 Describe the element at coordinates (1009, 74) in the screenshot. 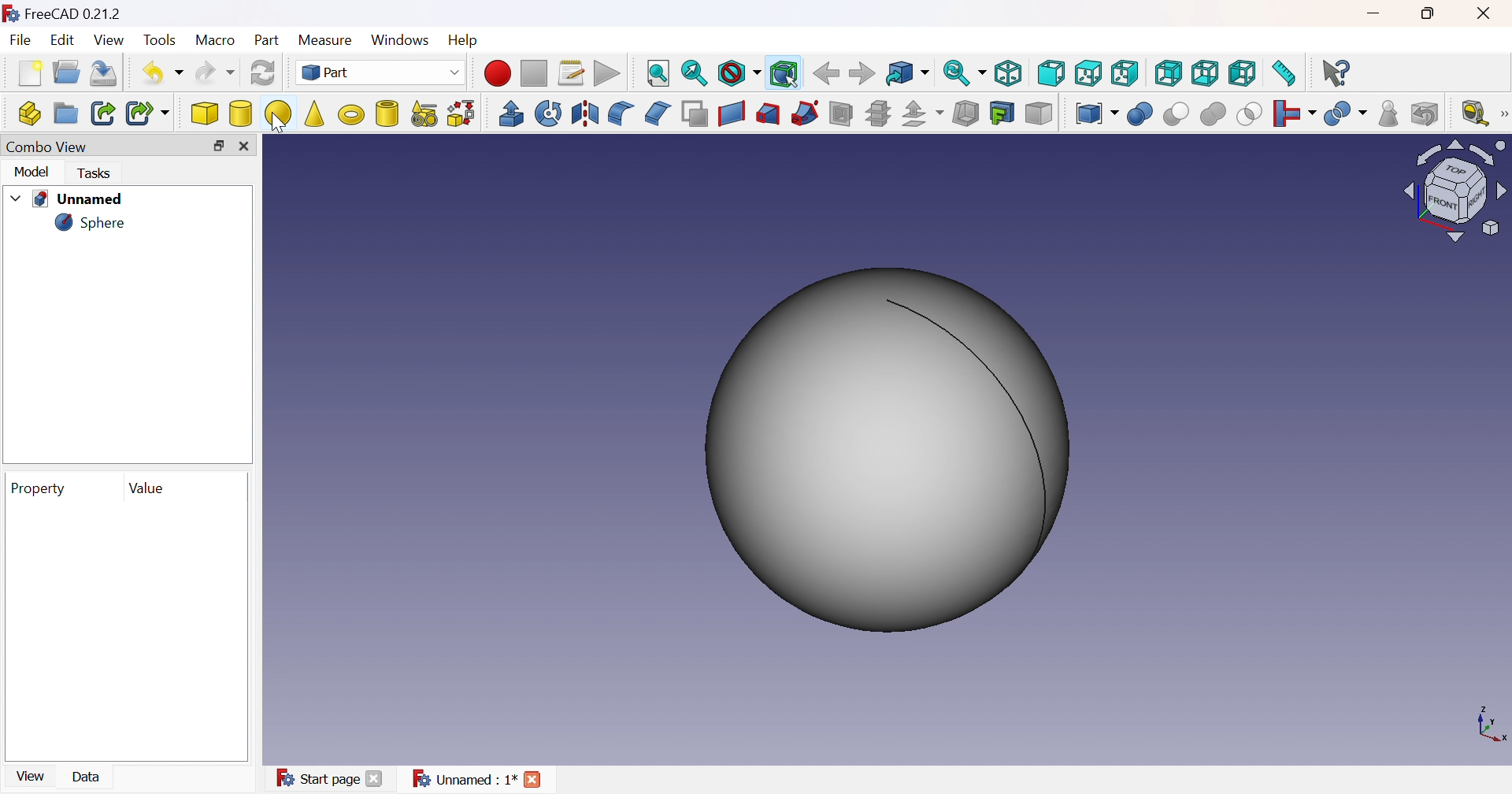

I see `Isometric` at that location.